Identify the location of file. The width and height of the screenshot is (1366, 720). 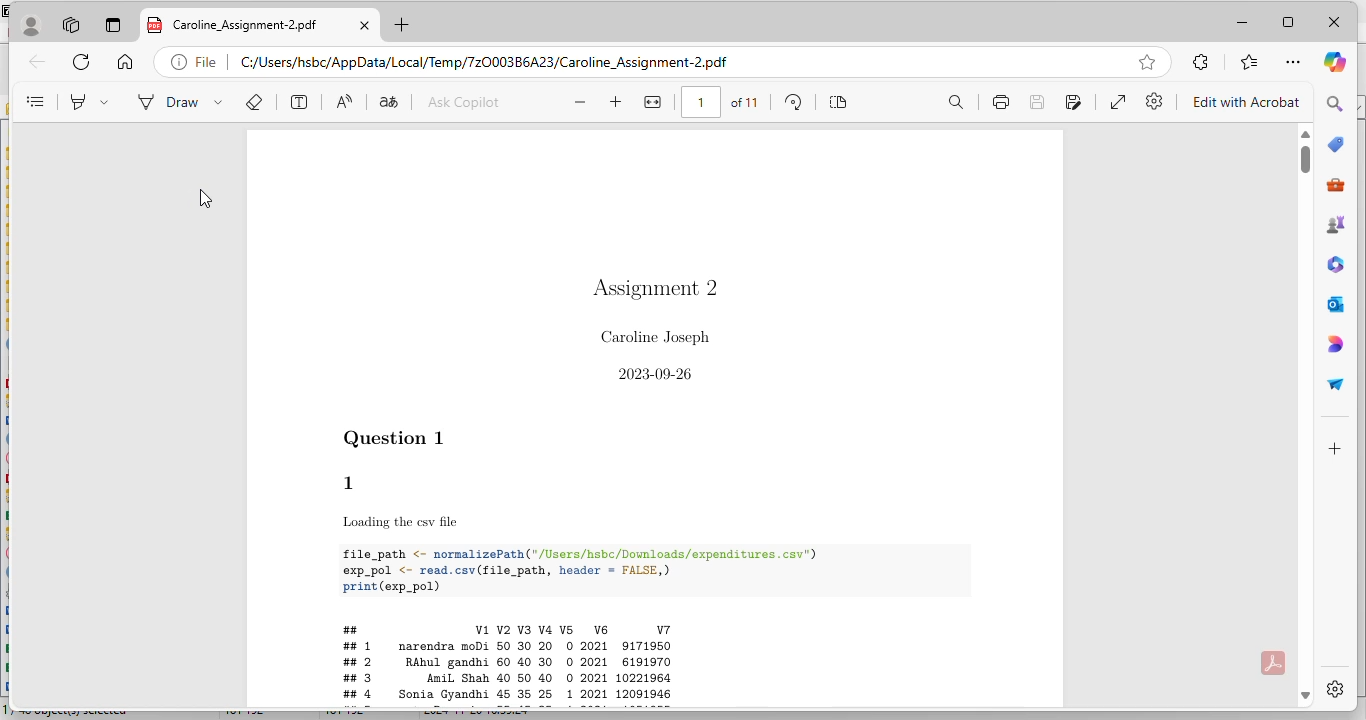
(654, 421).